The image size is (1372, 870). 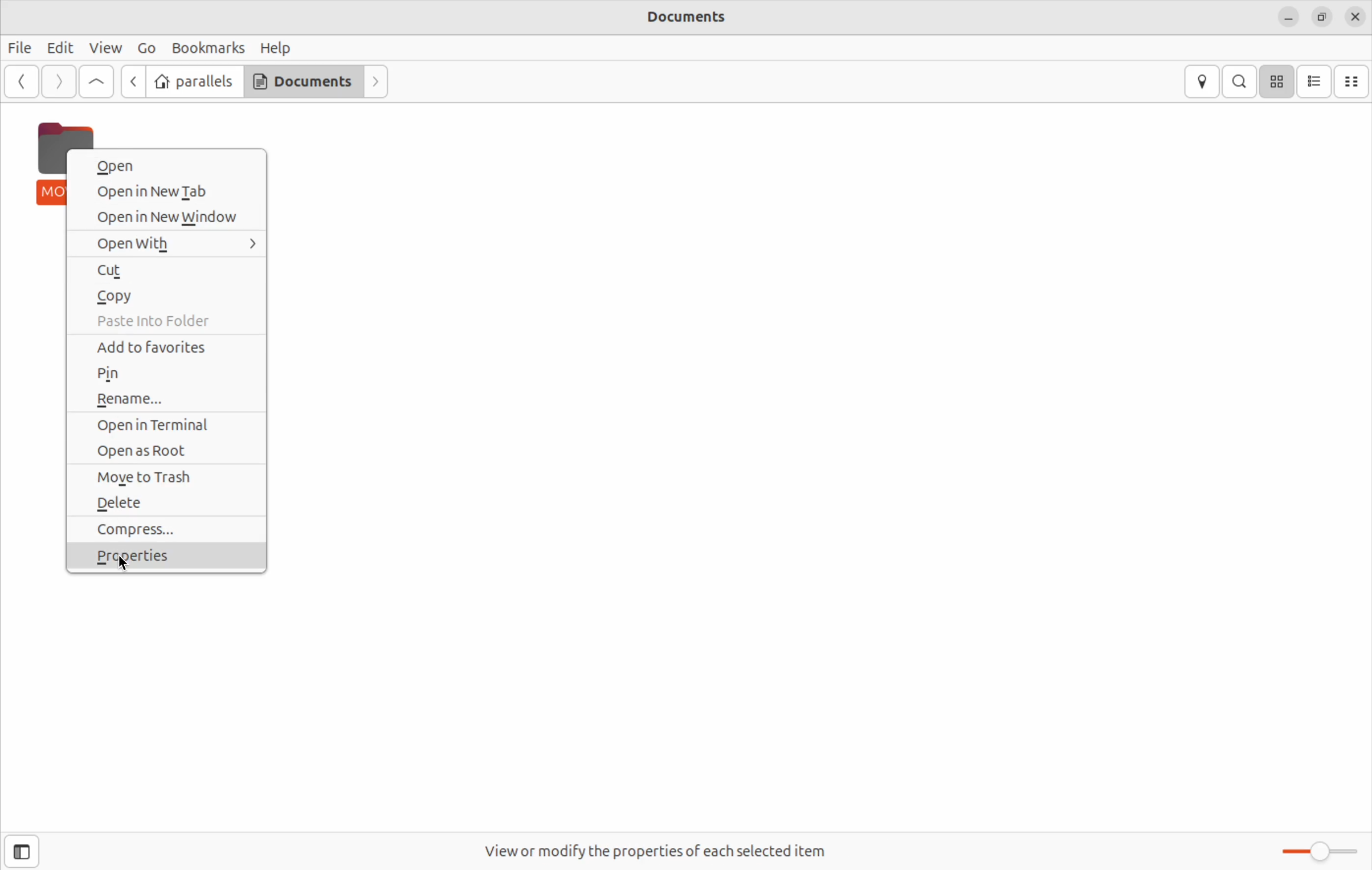 What do you see at coordinates (660, 851) in the screenshot?
I see `free space` at bounding box center [660, 851].